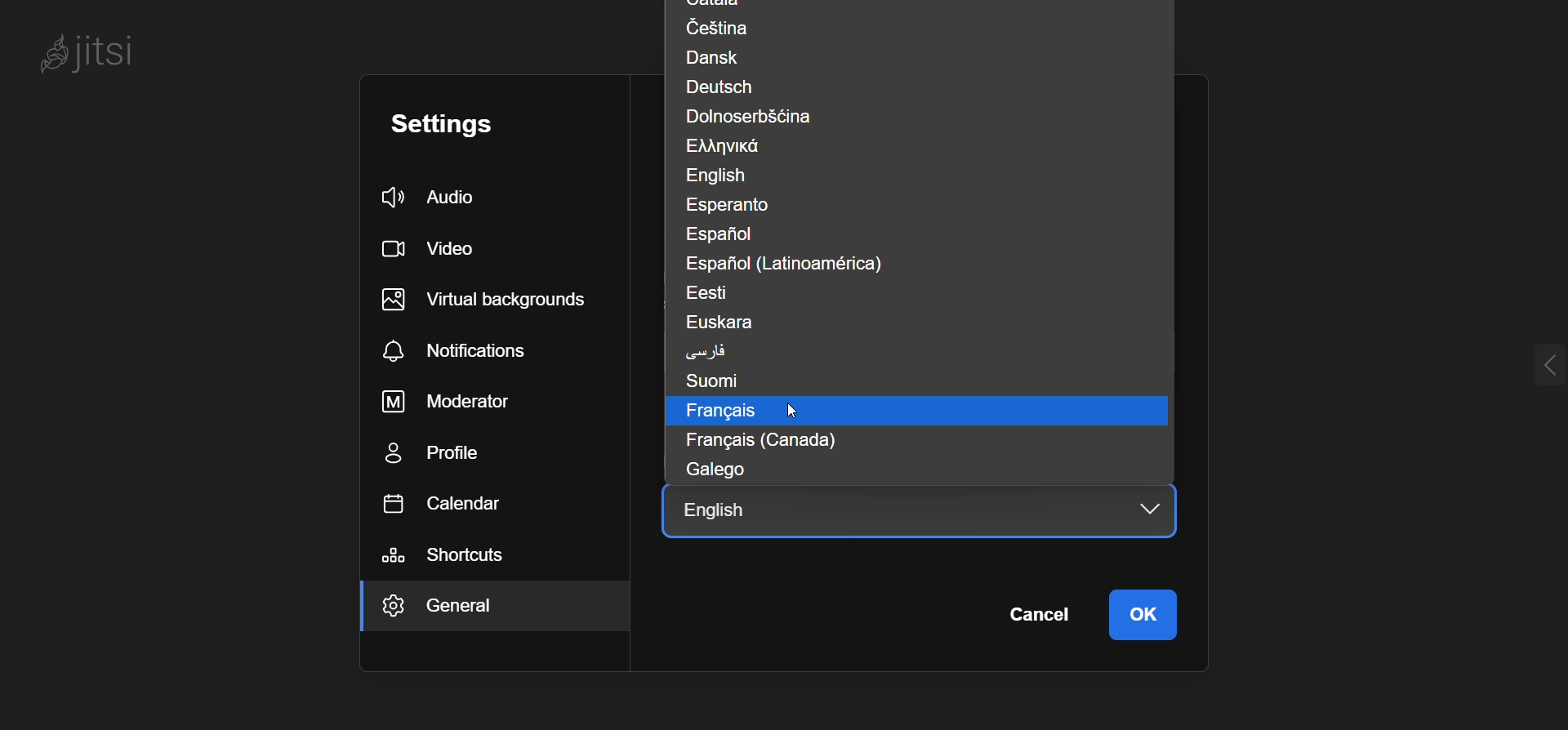 The width and height of the screenshot is (1568, 730). What do you see at coordinates (1137, 510) in the screenshot?
I see `dropdown` at bounding box center [1137, 510].